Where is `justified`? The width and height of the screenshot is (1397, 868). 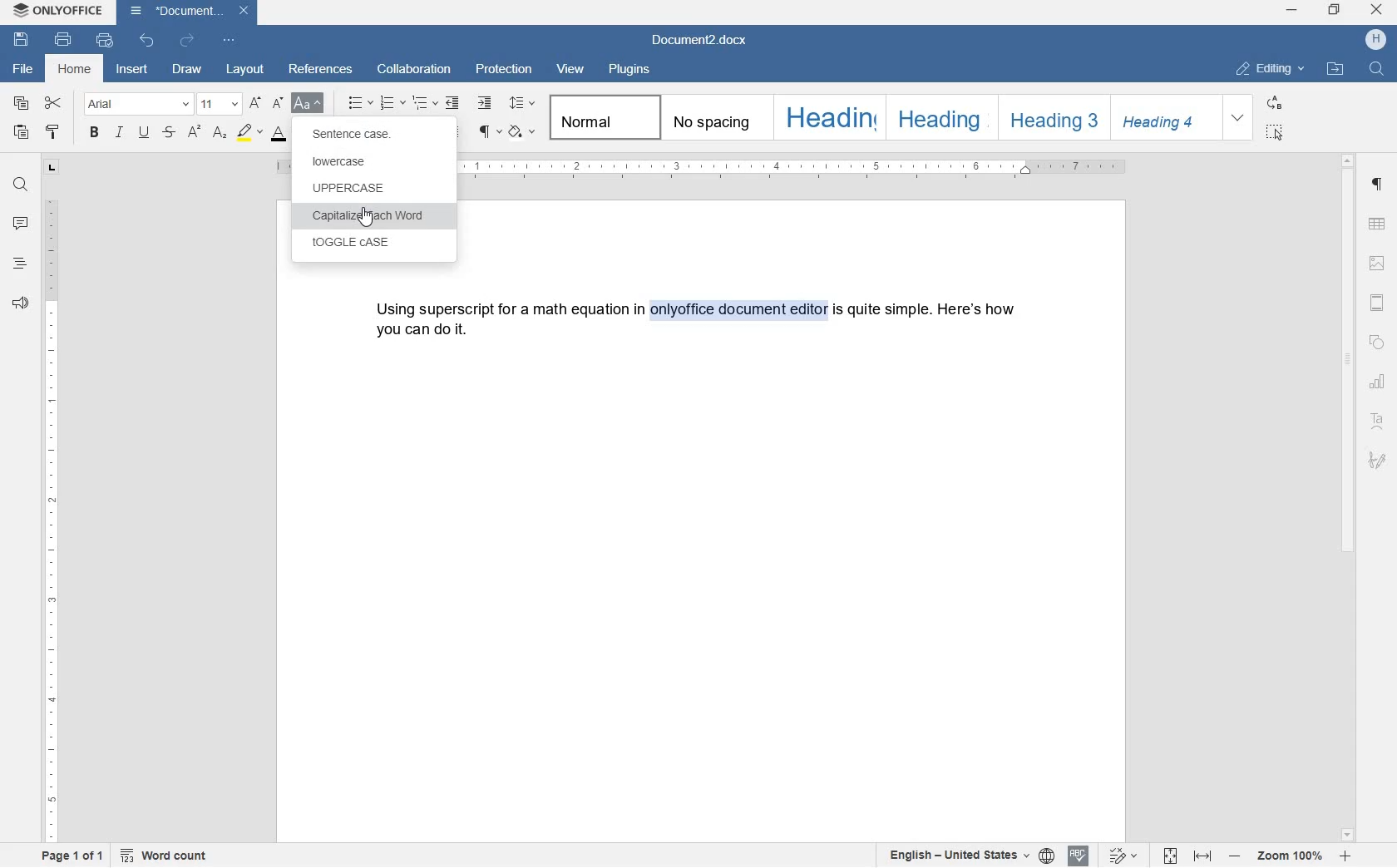 justified is located at coordinates (453, 132).